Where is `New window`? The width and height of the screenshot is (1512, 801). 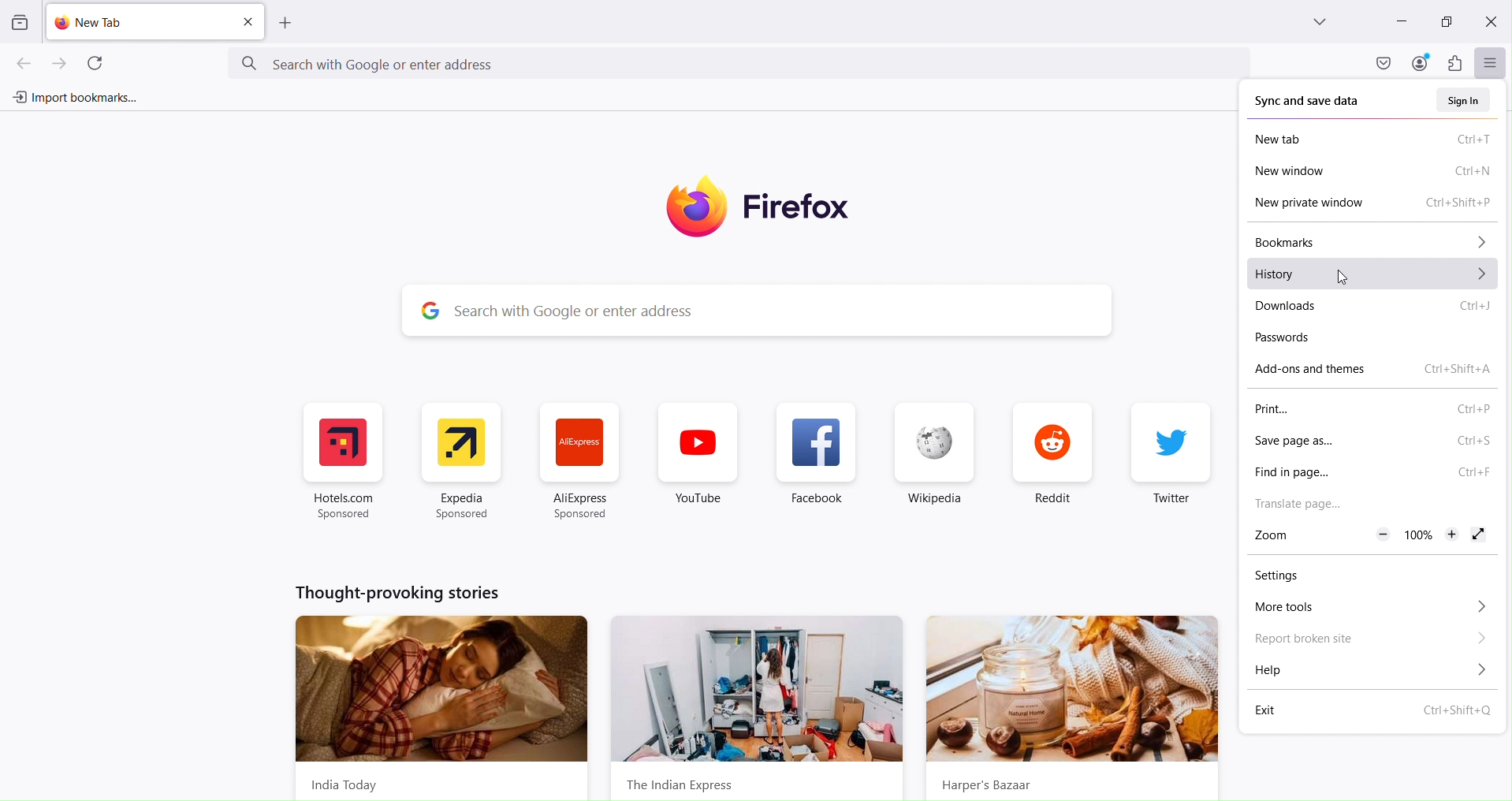 New window is located at coordinates (1374, 172).